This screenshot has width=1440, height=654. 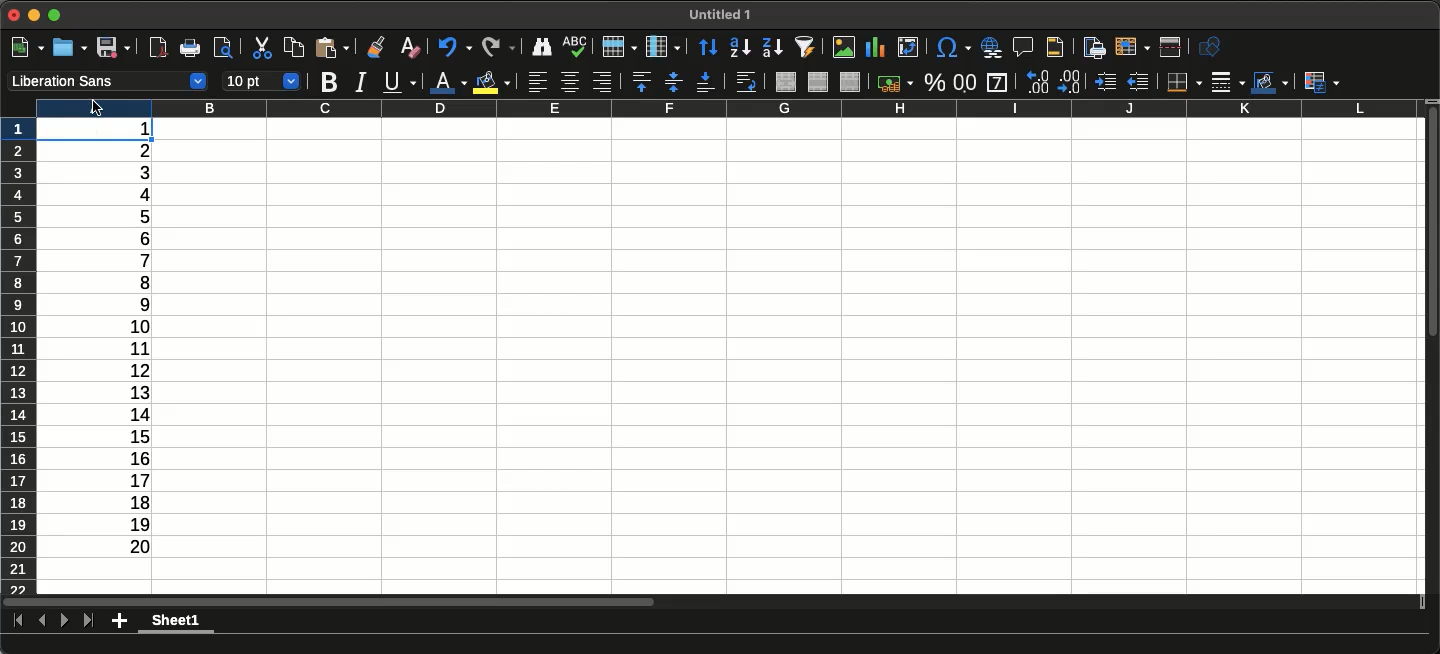 What do you see at coordinates (35, 17) in the screenshot?
I see `Minimize` at bounding box center [35, 17].